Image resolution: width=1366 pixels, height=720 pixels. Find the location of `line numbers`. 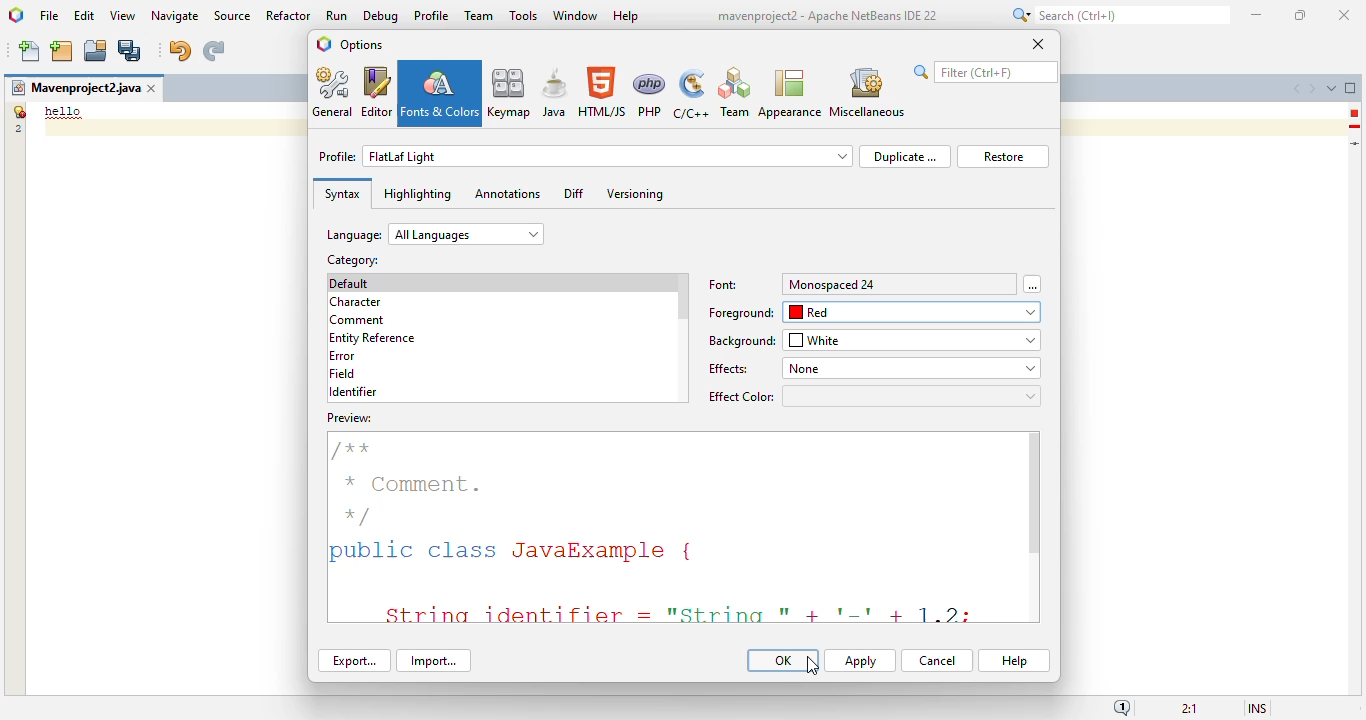

line numbers is located at coordinates (17, 119).